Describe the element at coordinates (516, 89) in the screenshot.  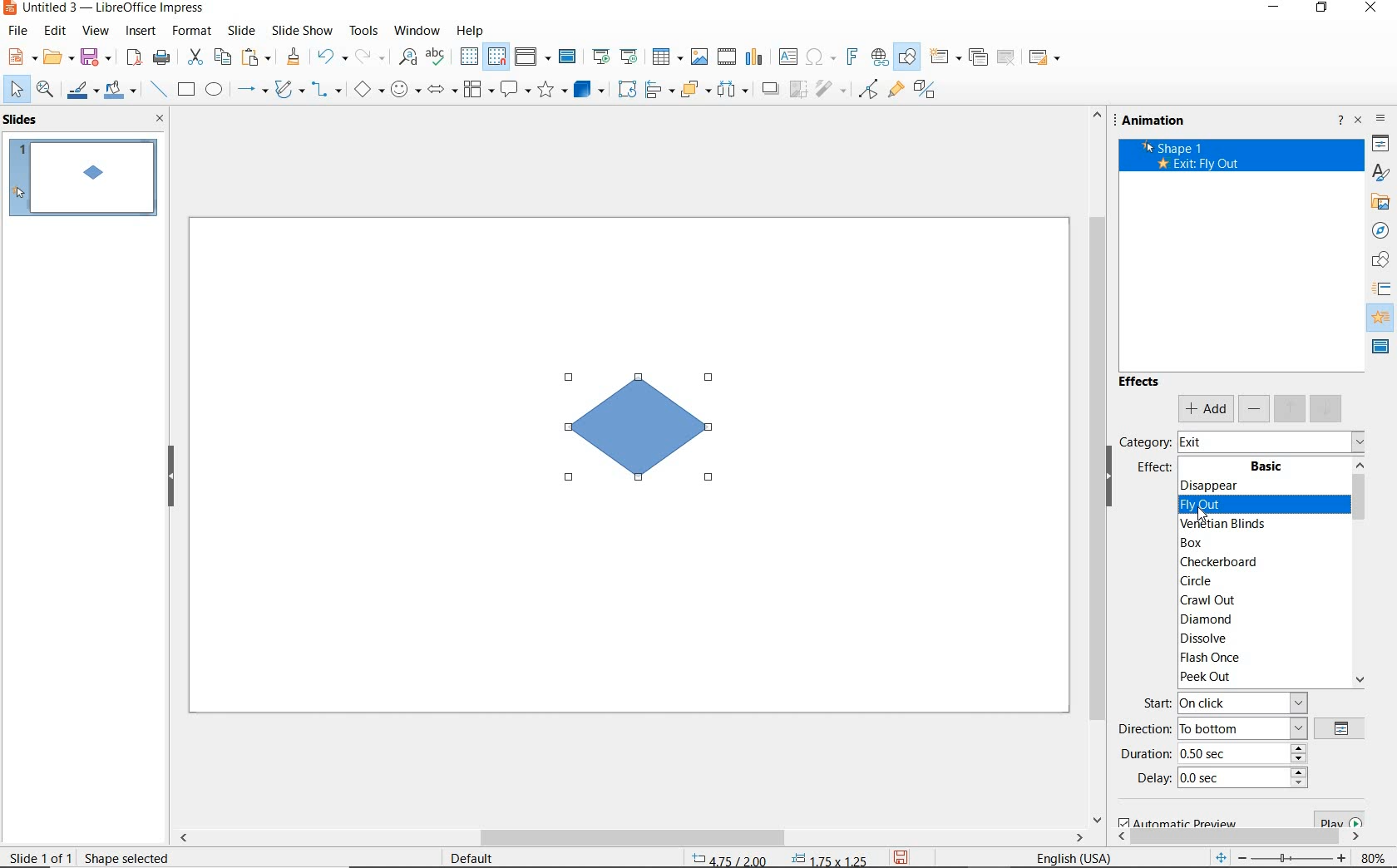
I see `callout shapes` at that location.